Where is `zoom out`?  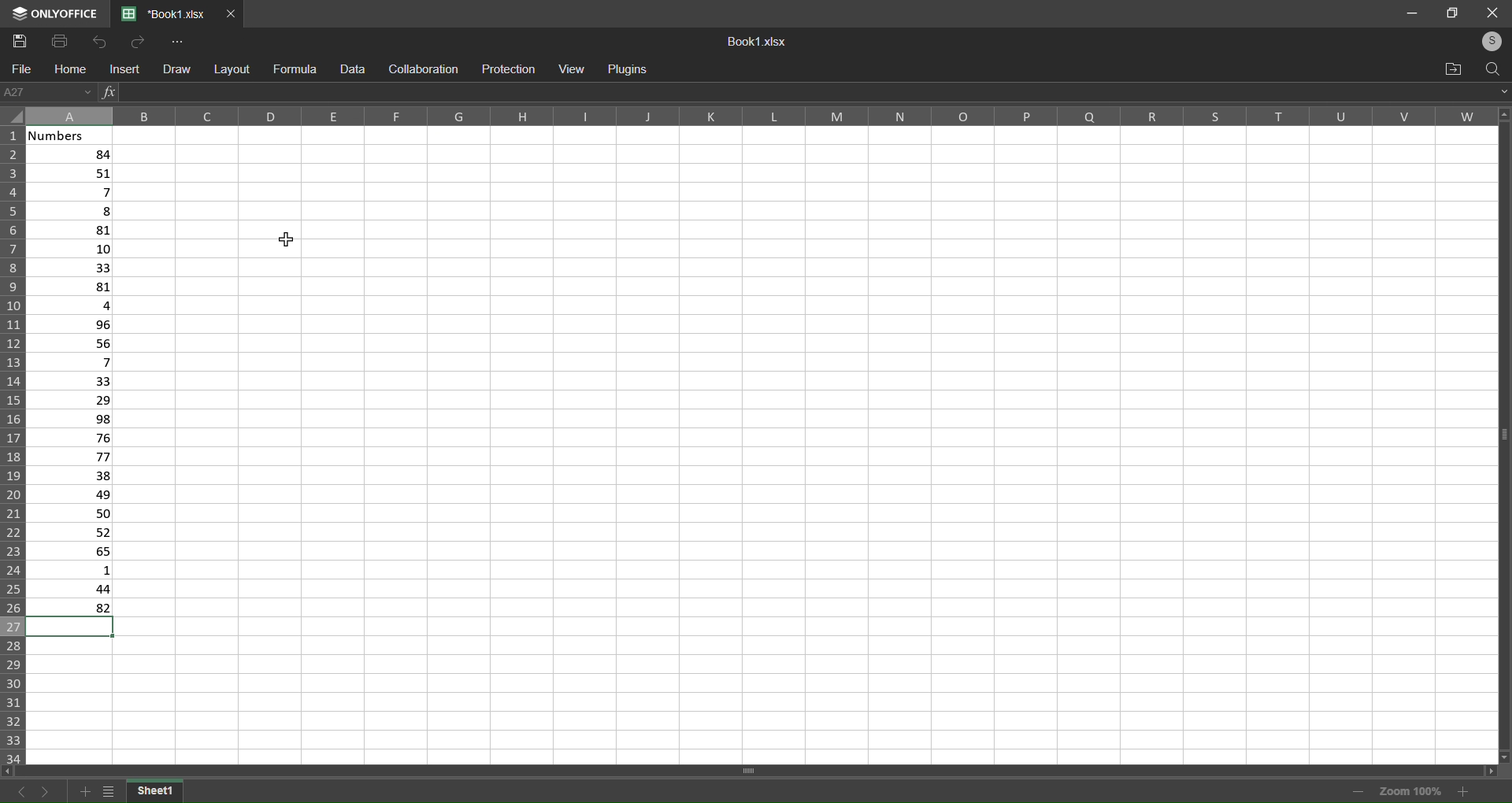
zoom out is located at coordinates (1353, 791).